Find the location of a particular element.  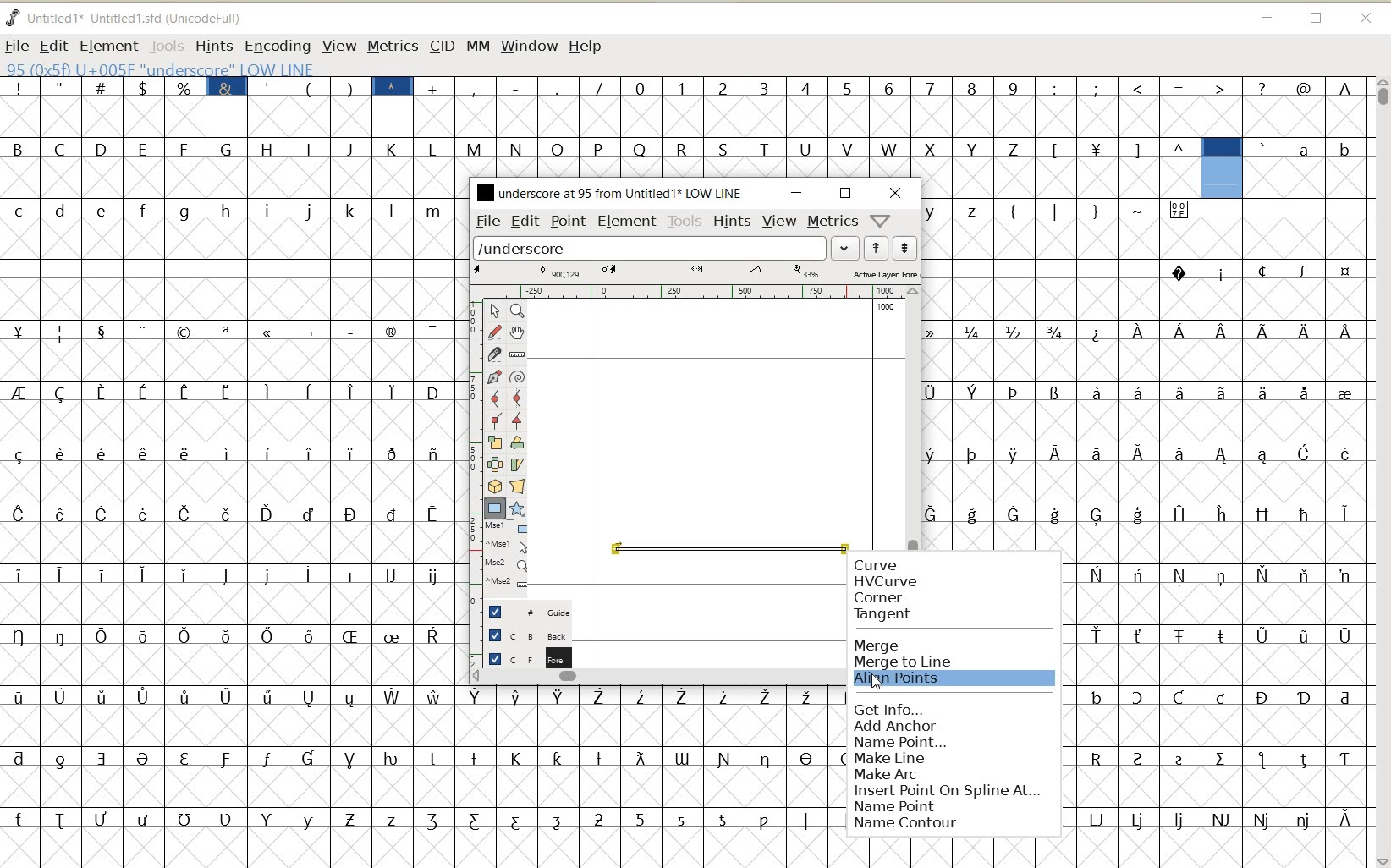

ENCODING is located at coordinates (277, 47).